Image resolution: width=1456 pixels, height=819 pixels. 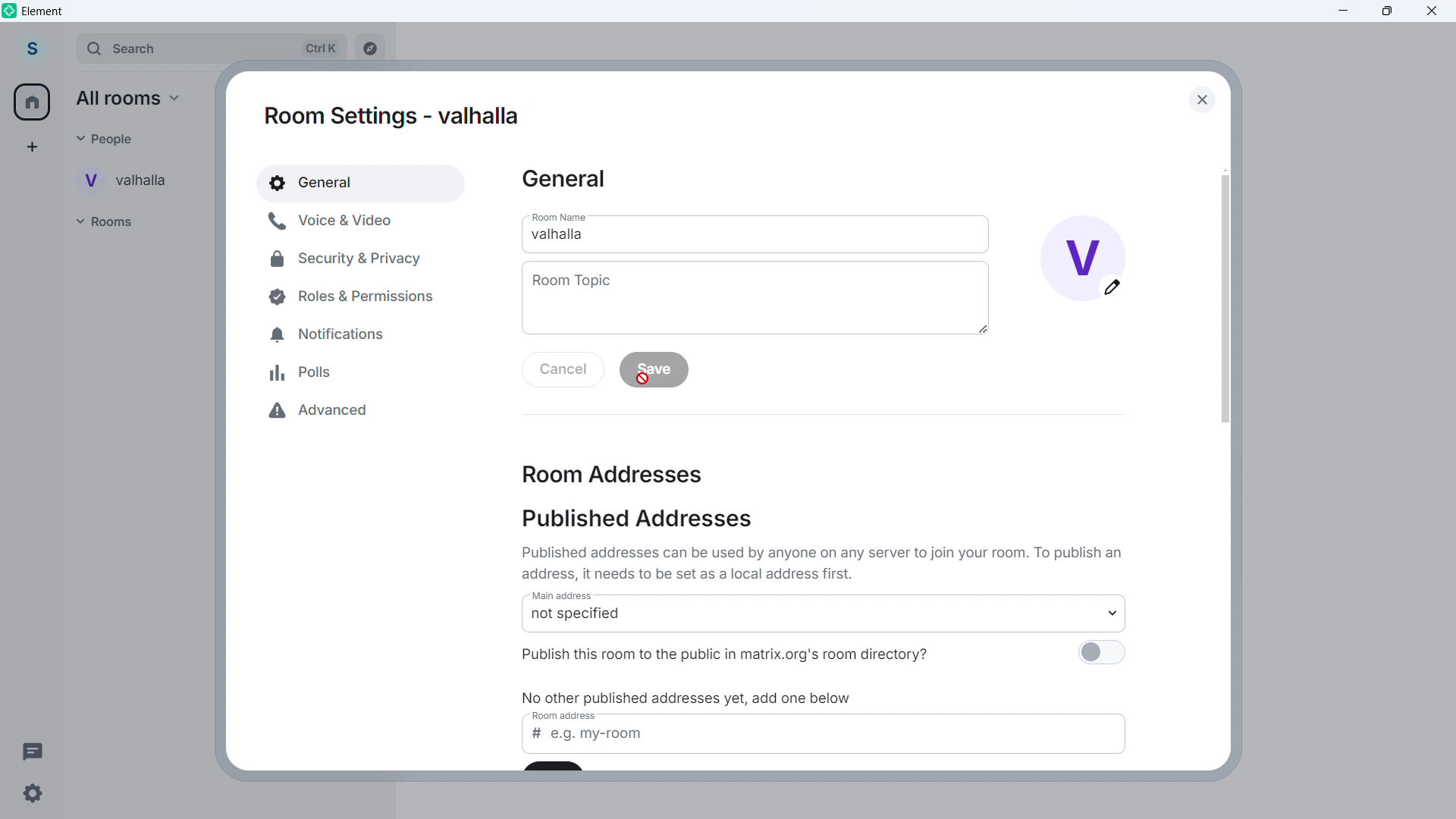 I want to click on account , so click(x=35, y=47).